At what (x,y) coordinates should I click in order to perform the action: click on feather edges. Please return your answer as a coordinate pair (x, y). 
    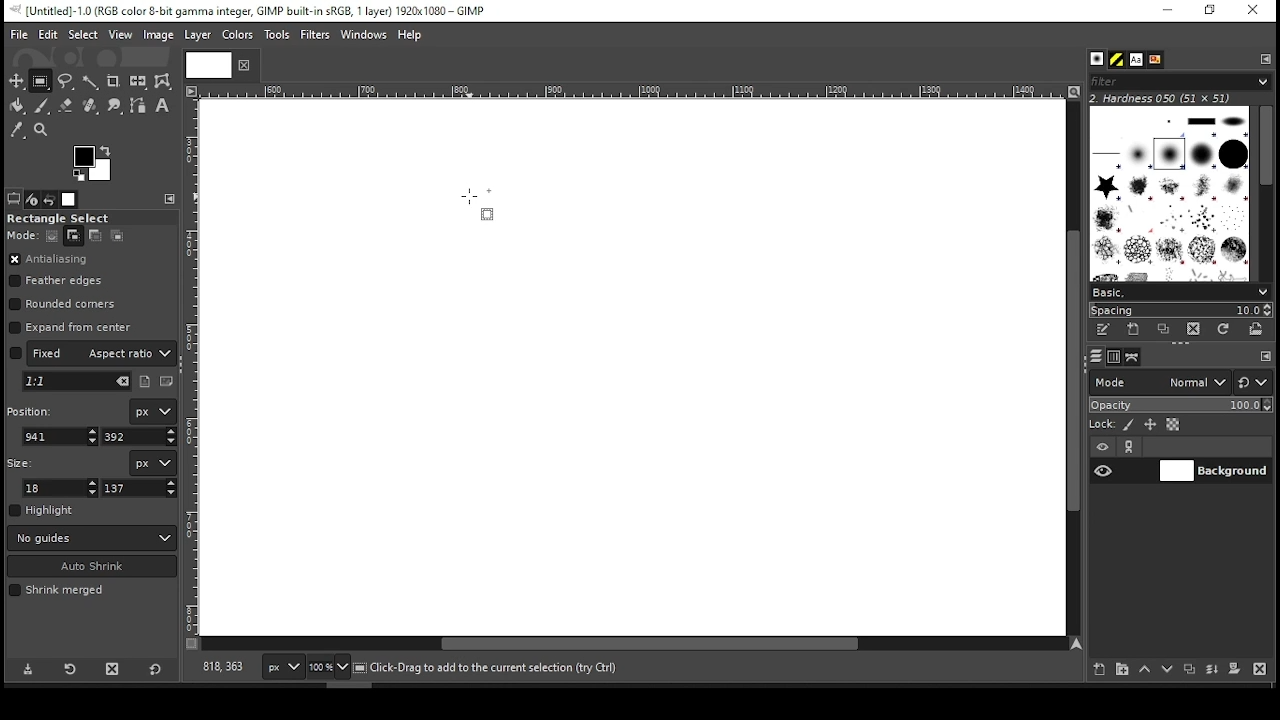
    Looking at the image, I should click on (61, 281).